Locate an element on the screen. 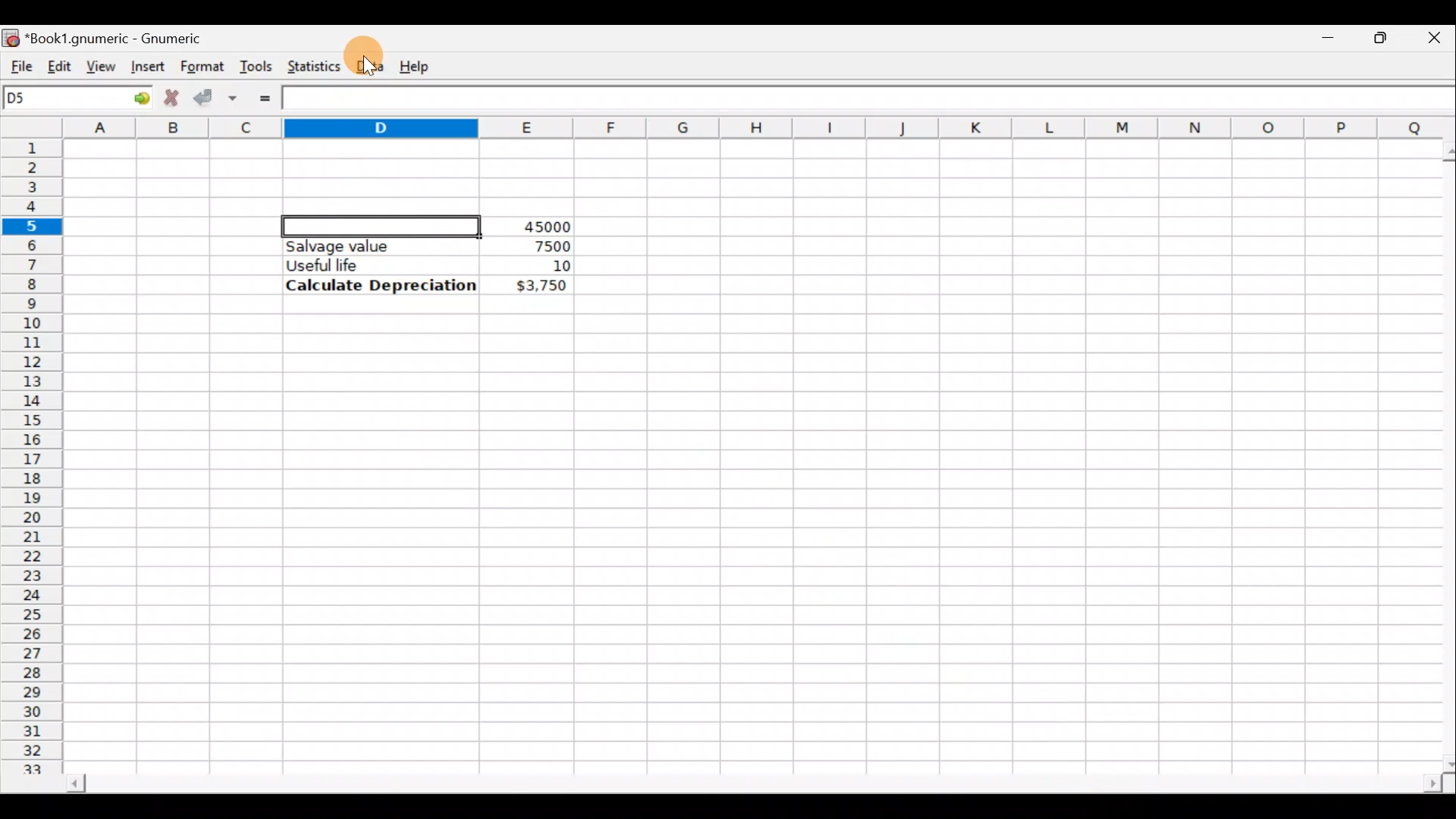 The height and width of the screenshot is (819, 1456). Statistics is located at coordinates (310, 65).